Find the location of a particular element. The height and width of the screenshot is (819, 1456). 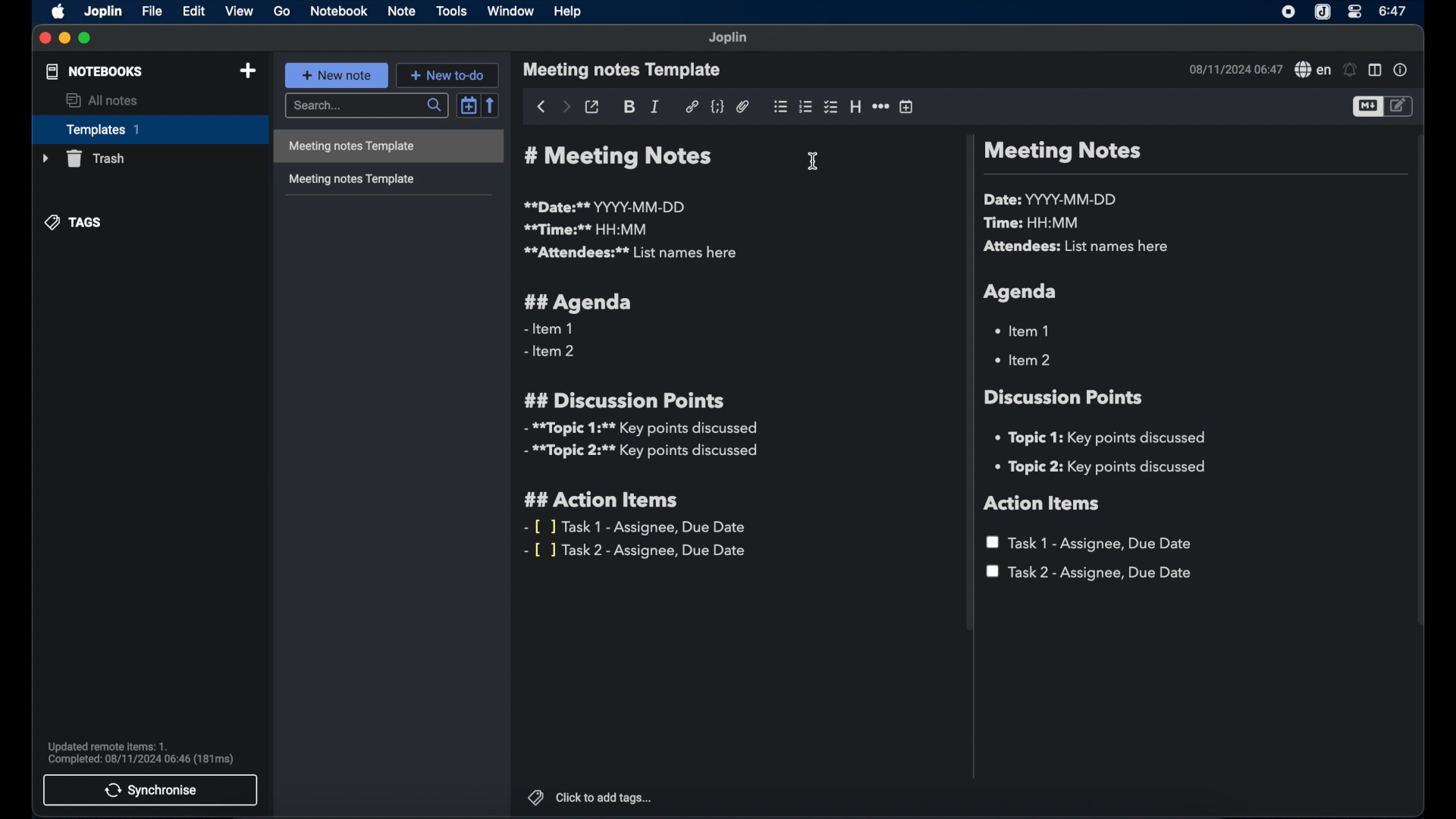

italic is located at coordinates (655, 106).